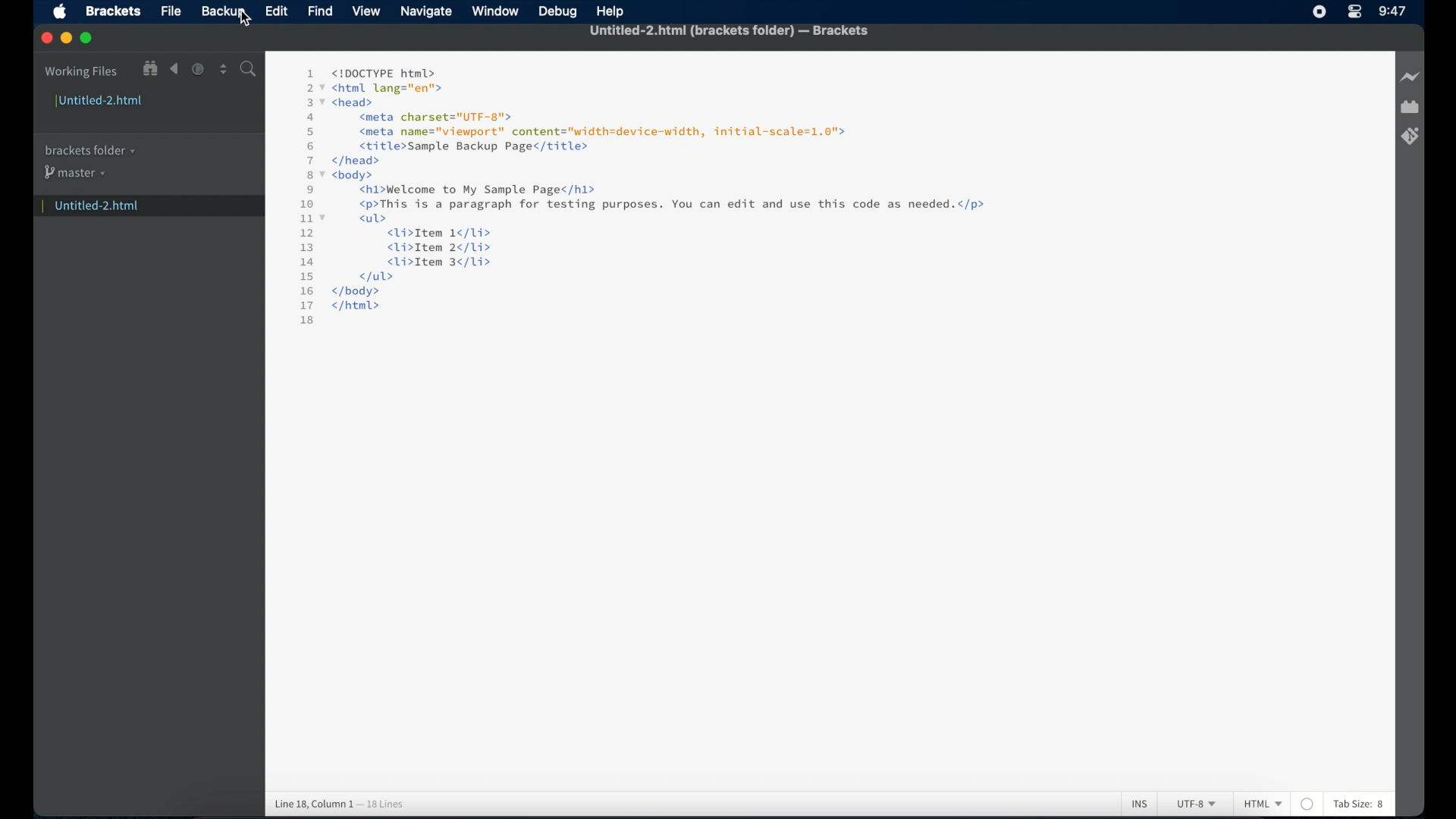 This screenshot has height=819, width=1456. Describe the element at coordinates (1197, 804) in the screenshot. I see `utf-8` at that location.